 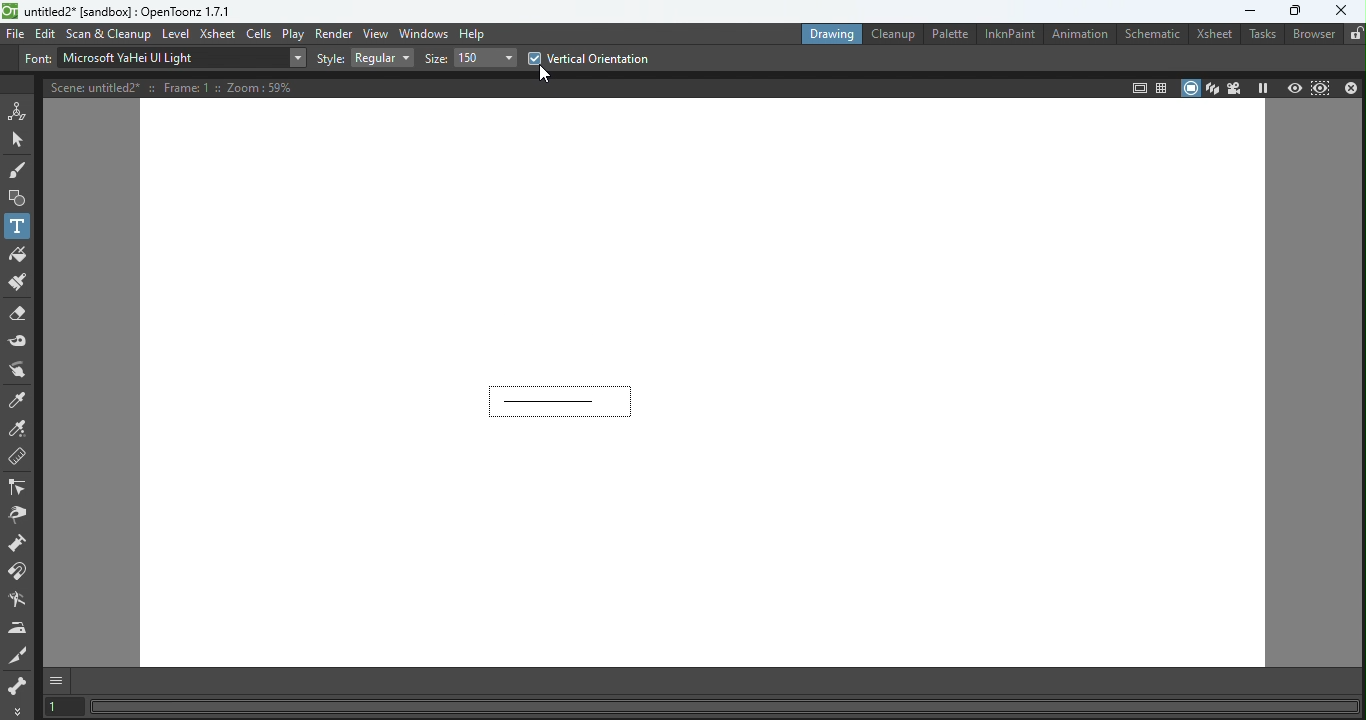 I want to click on Iron tool, so click(x=17, y=624).